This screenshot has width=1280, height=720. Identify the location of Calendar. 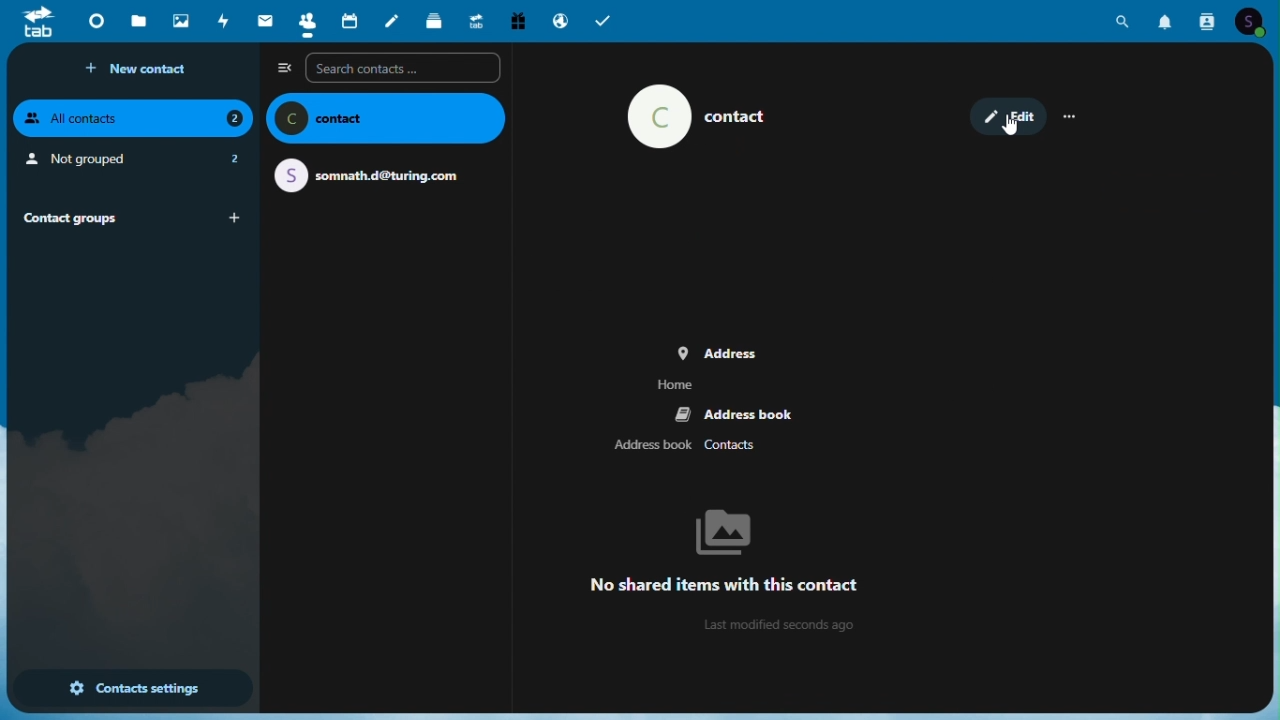
(349, 22).